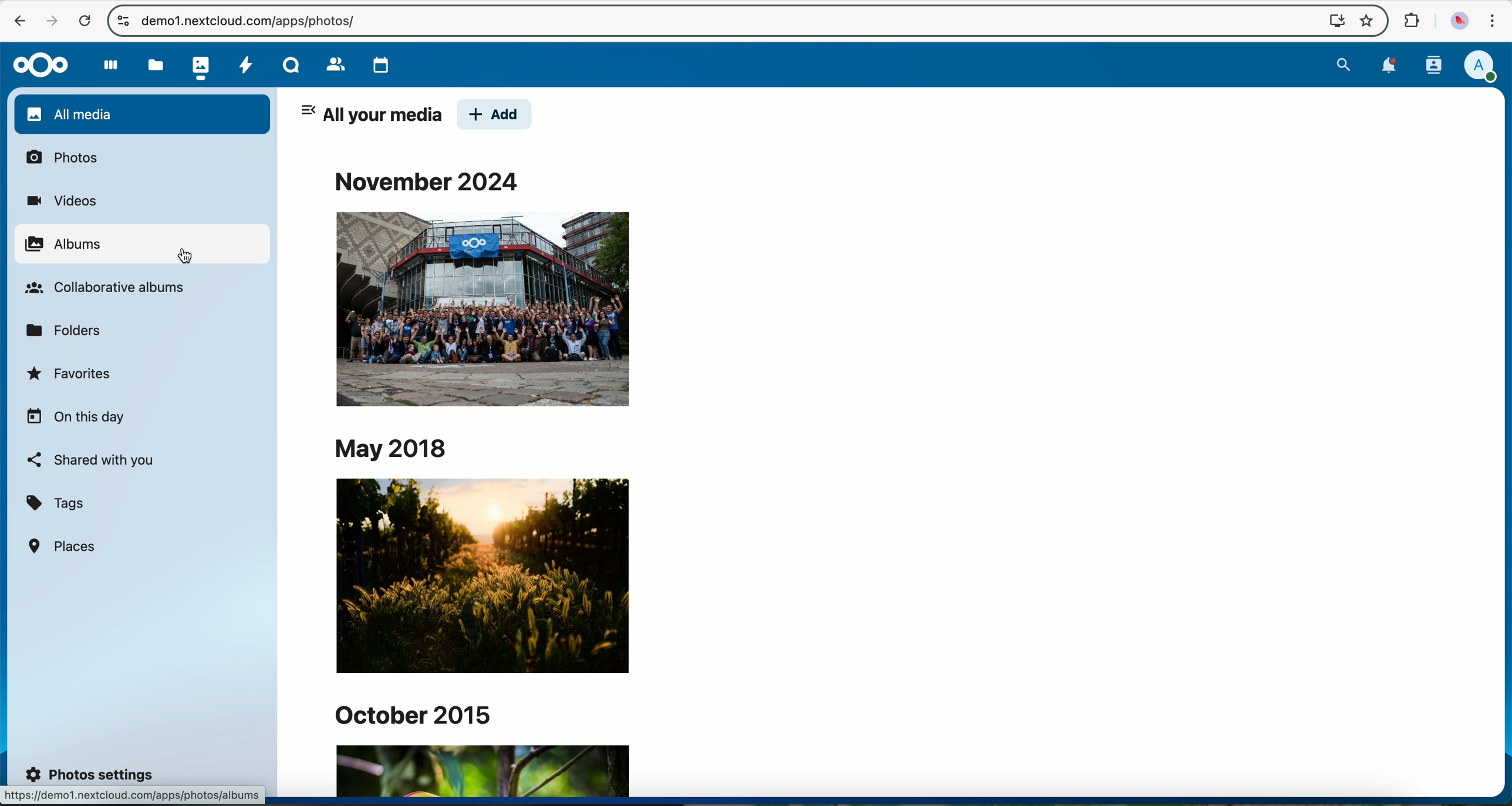 The image size is (1512, 806). What do you see at coordinates (1410, 21) in the screenshot?
I see `extensions` at bounding box center [1410, 21].